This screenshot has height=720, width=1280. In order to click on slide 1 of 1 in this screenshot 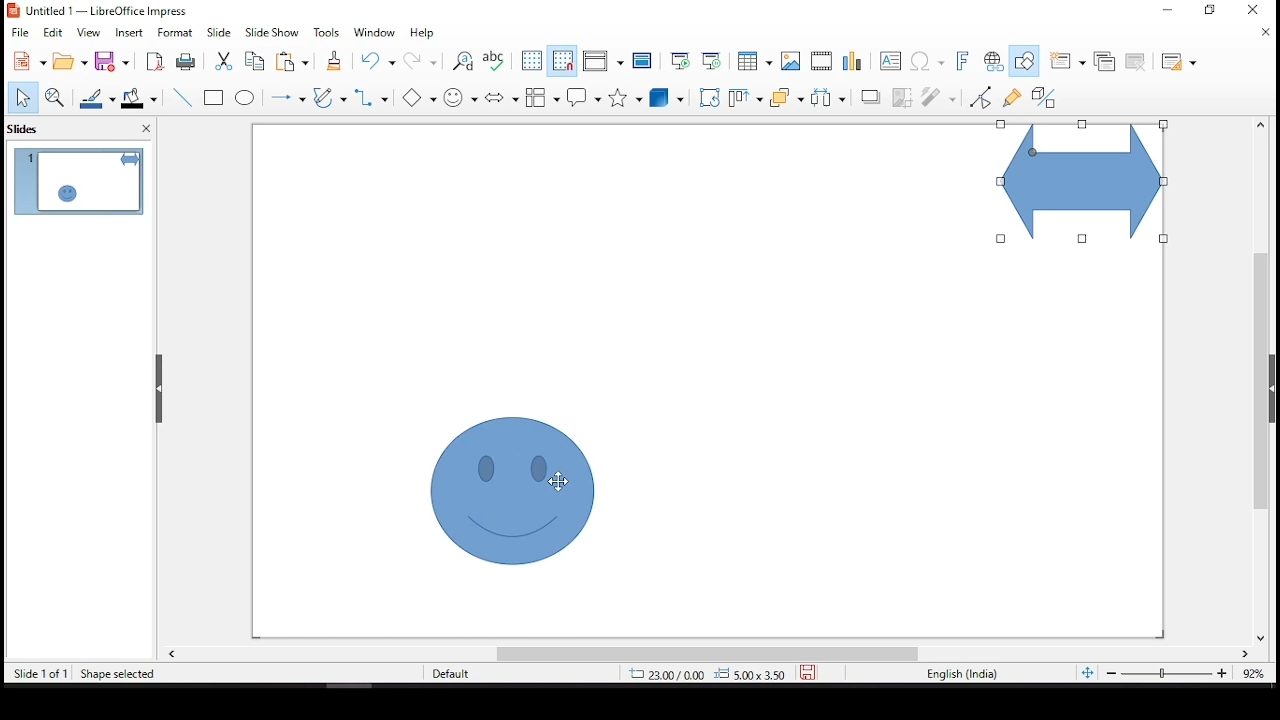, I will do `click(41, 675)`.